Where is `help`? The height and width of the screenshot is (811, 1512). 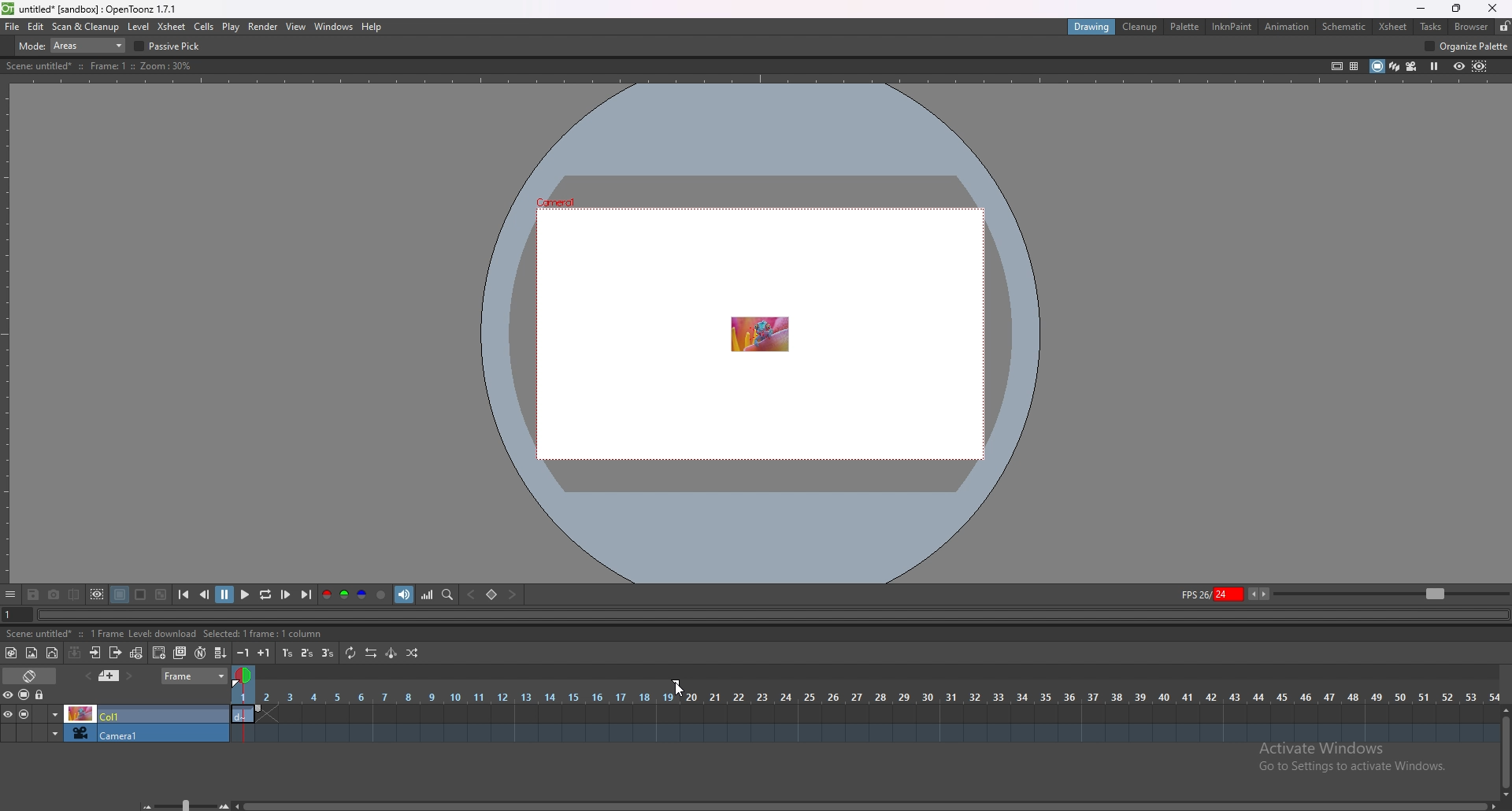 help is located at coordinates (371, 27).